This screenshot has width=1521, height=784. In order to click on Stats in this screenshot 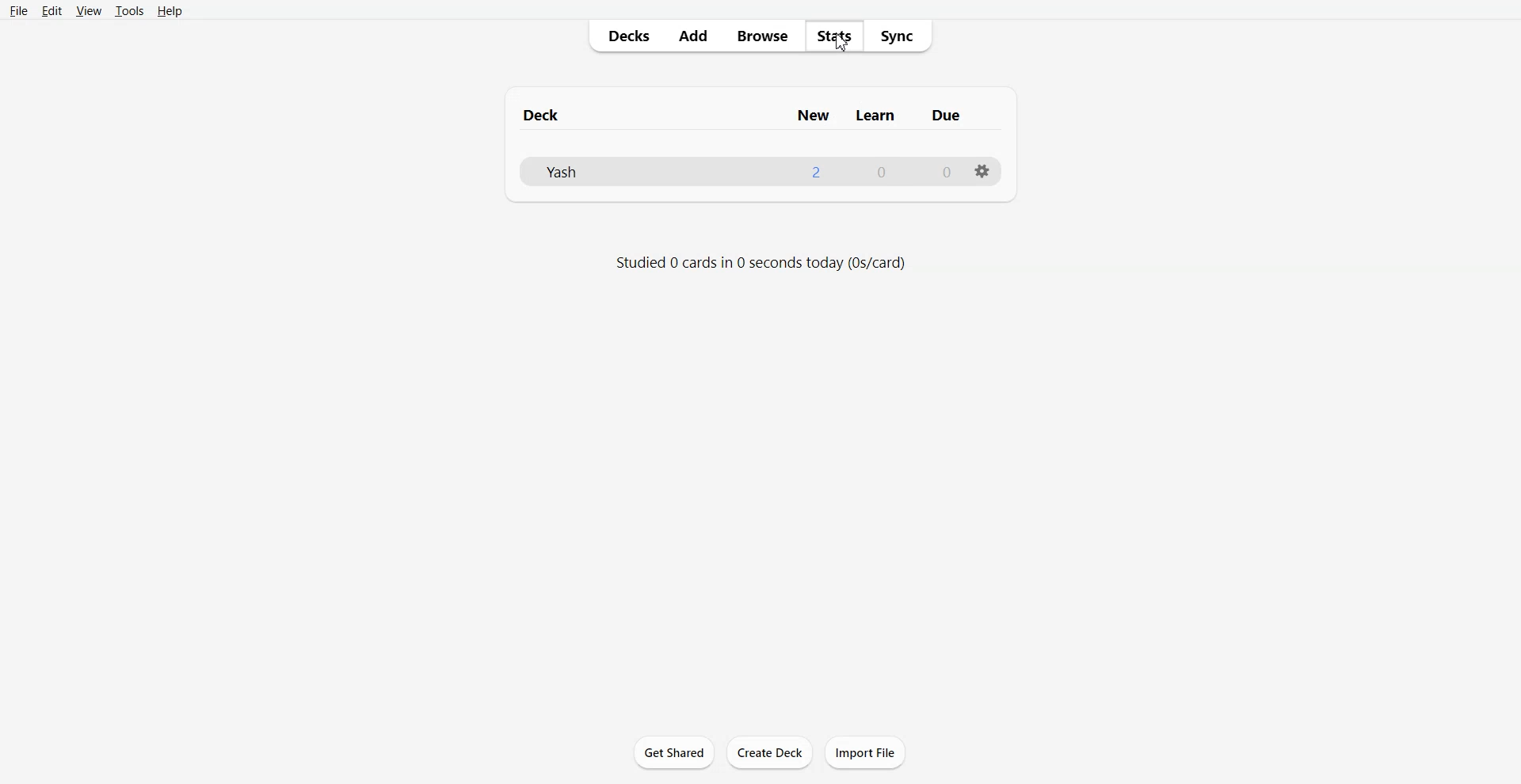, I will do `click(838, 36)`.